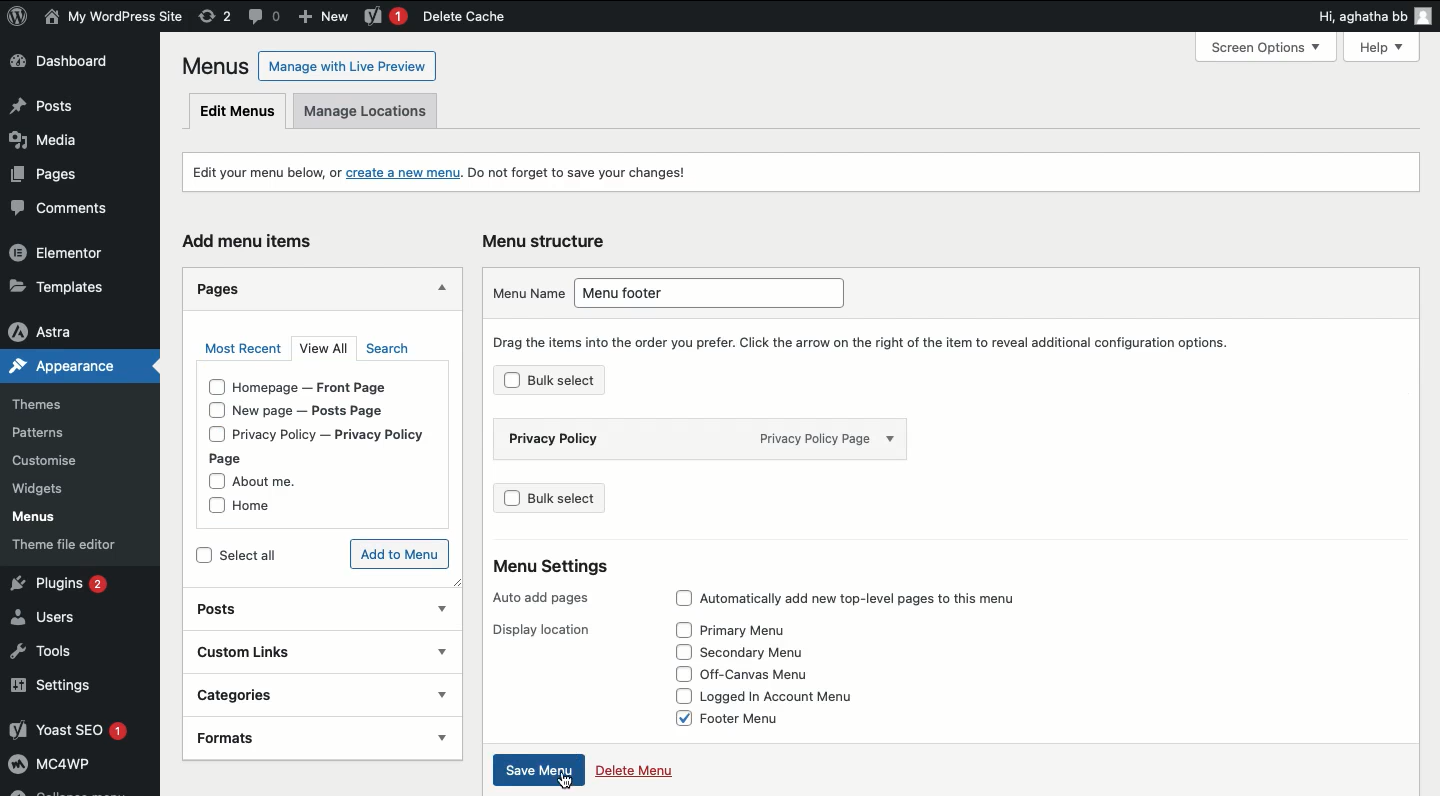 This screenshot has height=796, width=1440. Describe the element at coordinates (214, 481) in the screenshot. I see `checkbox` at that location.